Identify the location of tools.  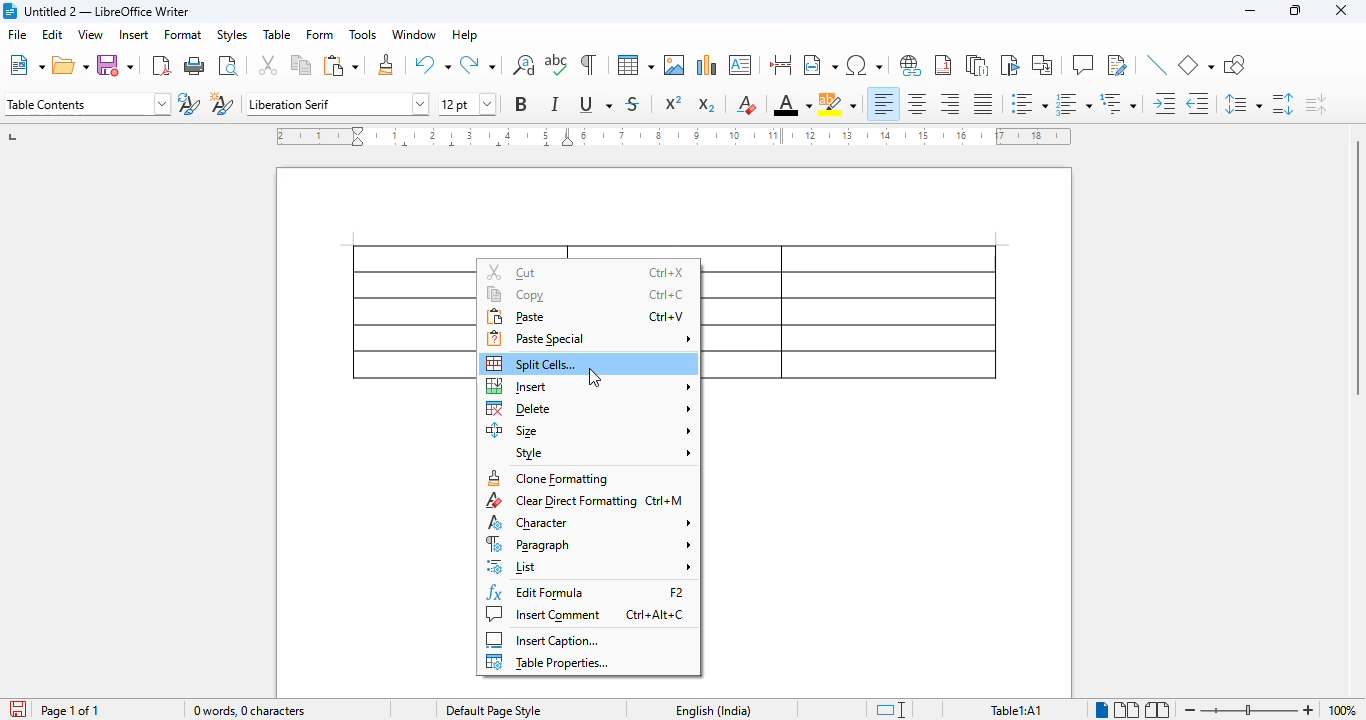
(363, 34).